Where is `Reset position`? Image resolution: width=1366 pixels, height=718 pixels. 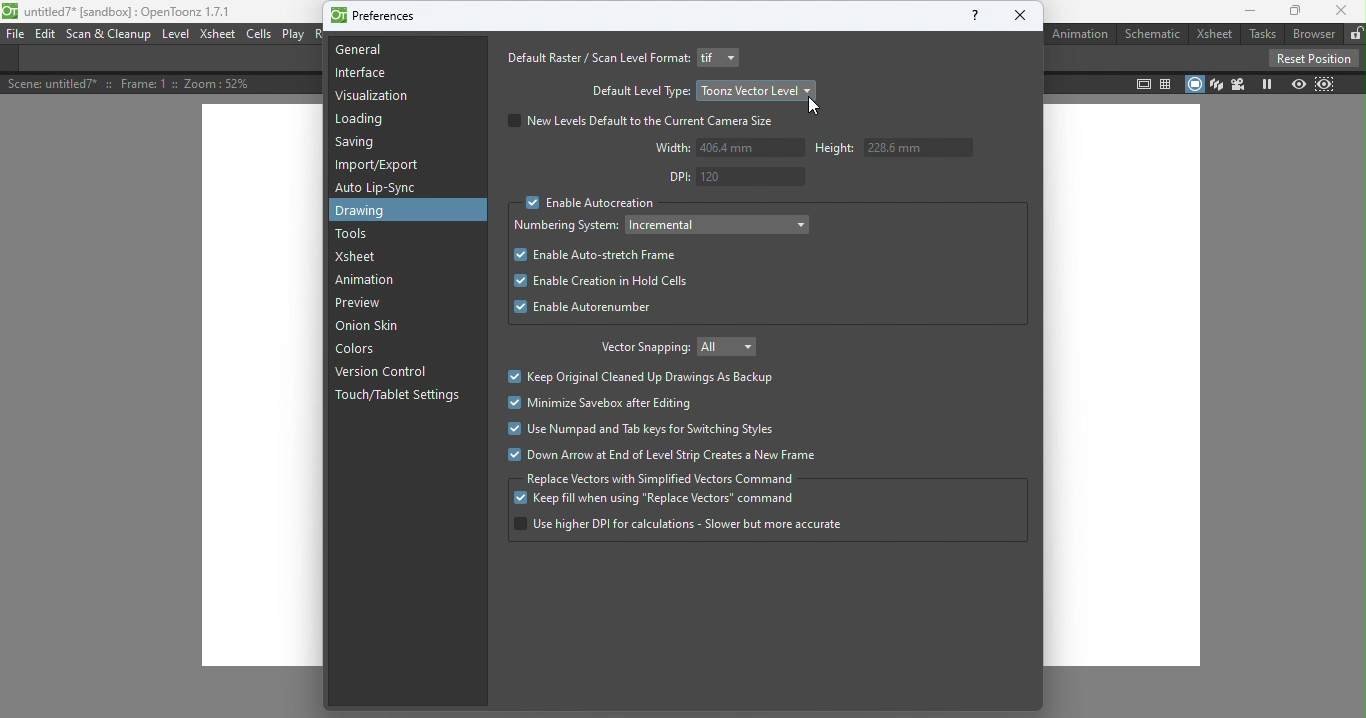 Reset position is located at coordinates (1311, 57).